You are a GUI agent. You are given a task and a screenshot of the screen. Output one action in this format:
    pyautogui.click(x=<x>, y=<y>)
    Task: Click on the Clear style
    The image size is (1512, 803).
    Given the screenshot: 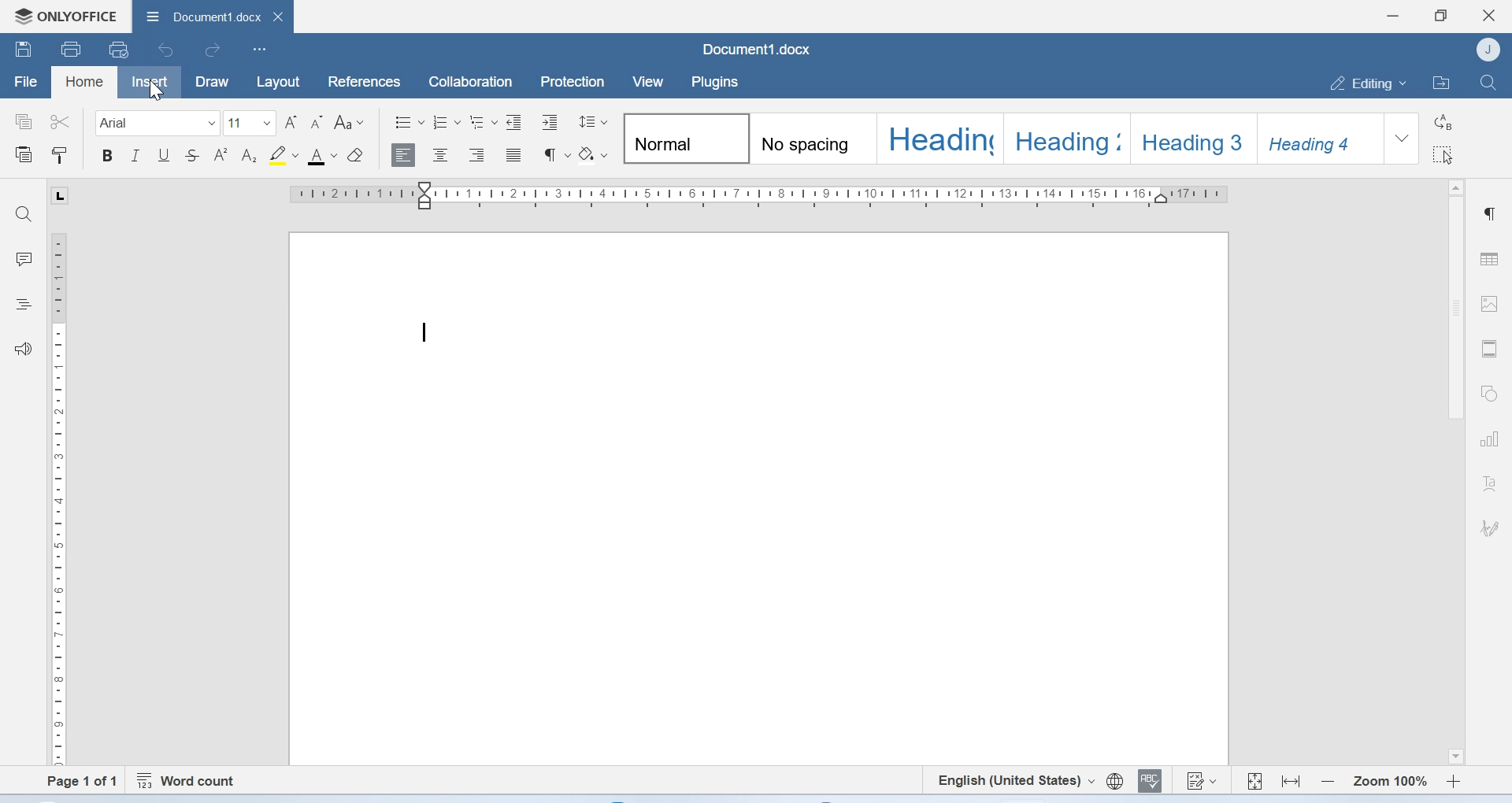 What is the action you would take?
    pyautogui.click(x=355, y=155)
    